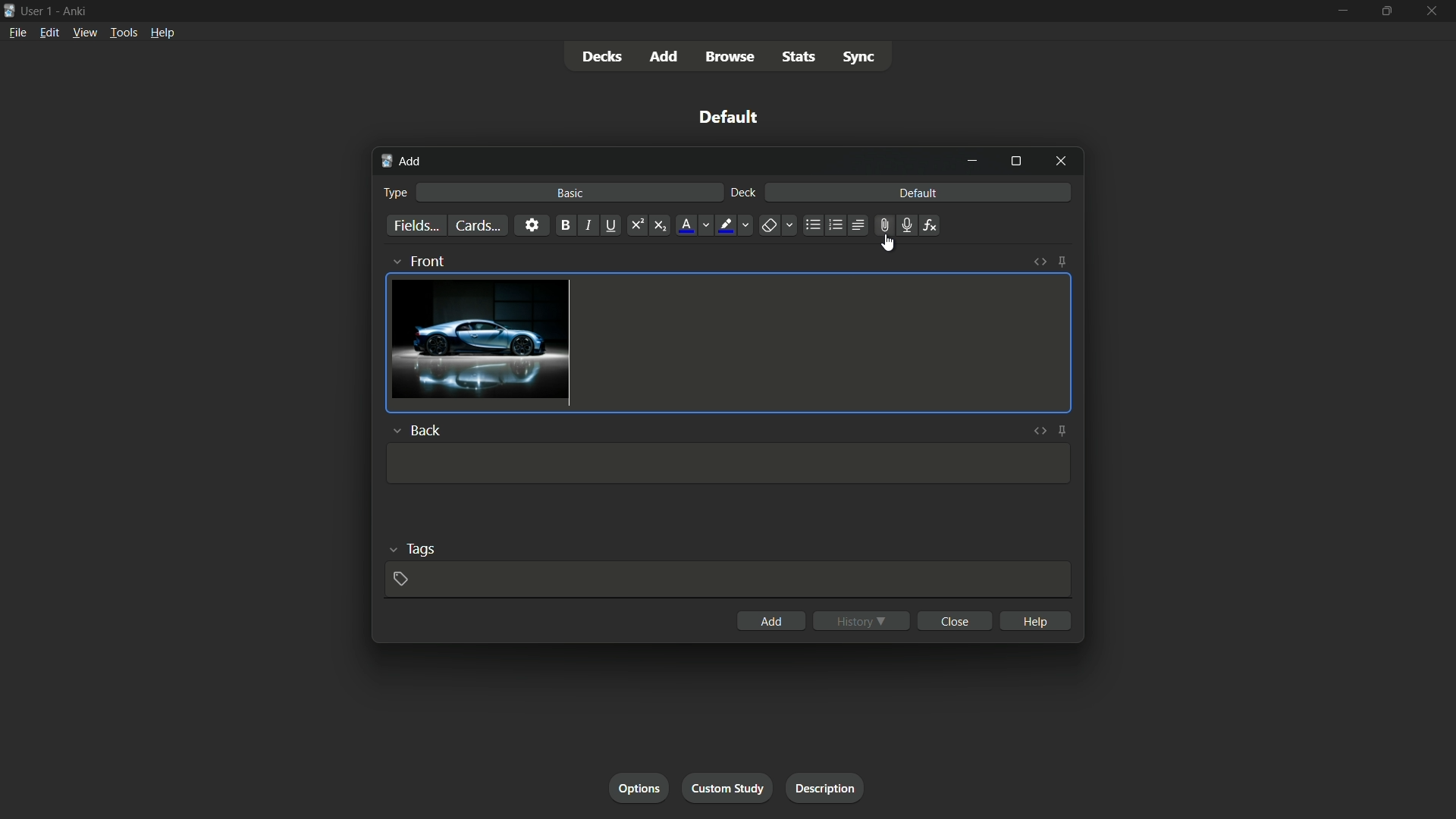 Image resolution: width=1456 pixels, height=819 pixels. I want to click on bold, so click(566, 225).